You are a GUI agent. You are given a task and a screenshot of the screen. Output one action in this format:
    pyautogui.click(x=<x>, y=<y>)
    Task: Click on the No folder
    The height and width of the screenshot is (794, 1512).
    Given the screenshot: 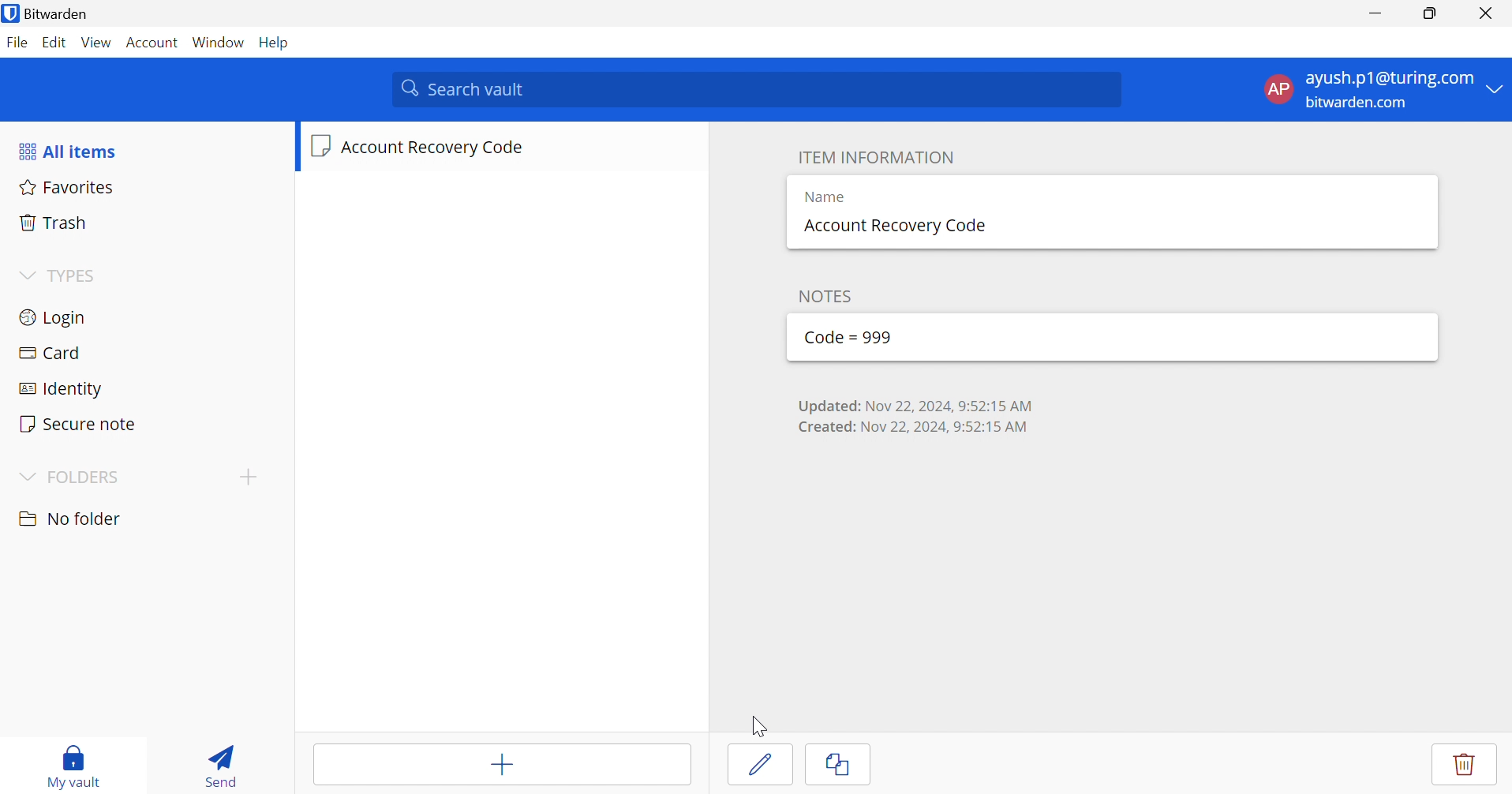 What is the action you would take?
    pyautogui.click(x=73, y=519)
    